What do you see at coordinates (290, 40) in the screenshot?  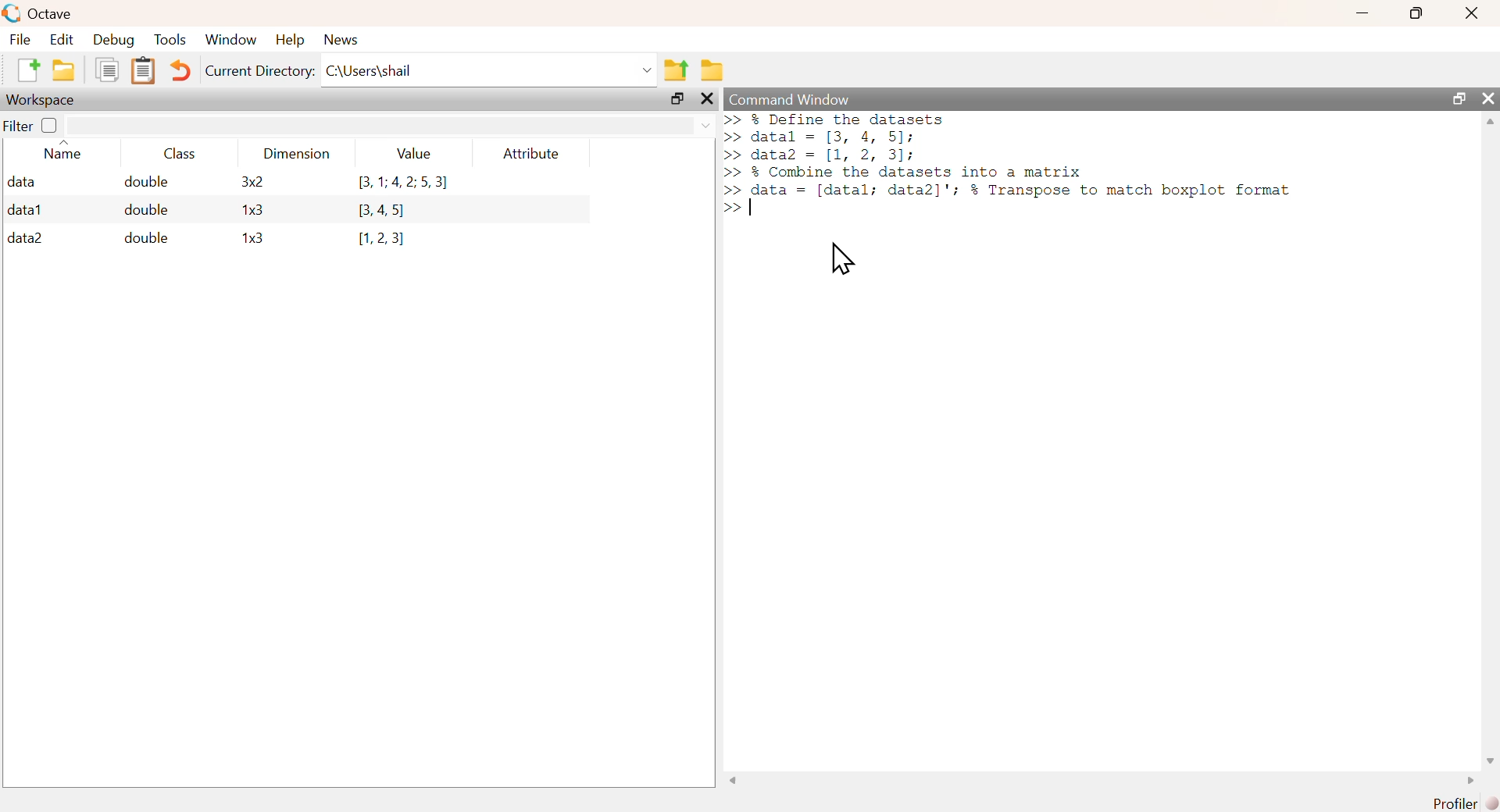 I see `Help` at bounding box center [290, 40].